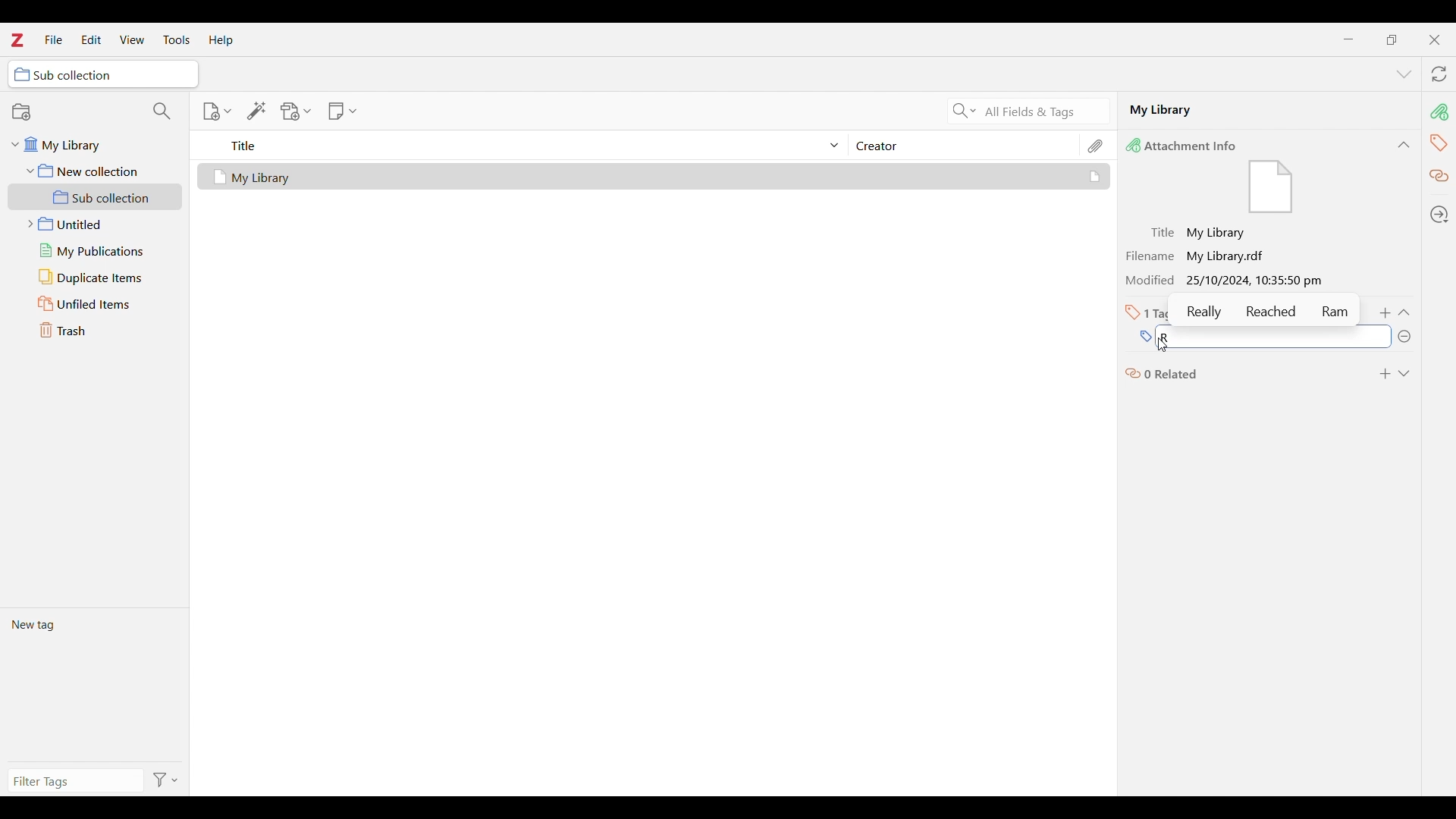 This screenshot has height=819, width=1456. What do you see at coordinates (1161, 338) in the screenshot?
I see `Cursor position unchanged, "R" typed` at bounding box center [1161, 338].